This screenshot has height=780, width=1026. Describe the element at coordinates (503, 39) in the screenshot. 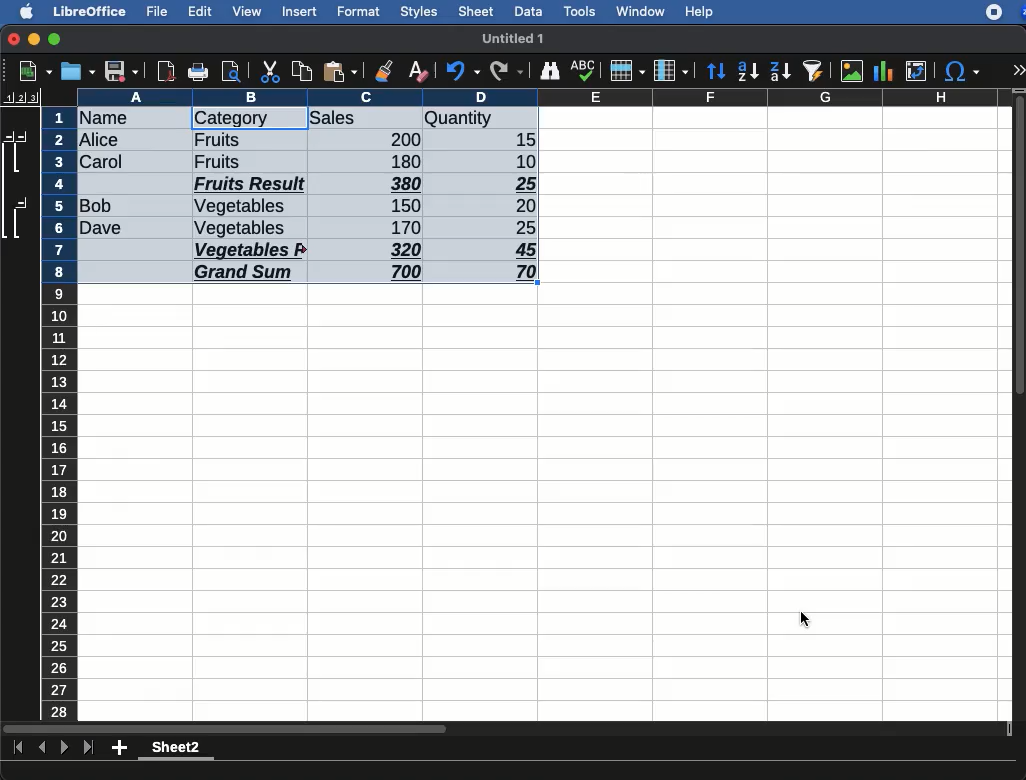

I see `untitled` at that location.